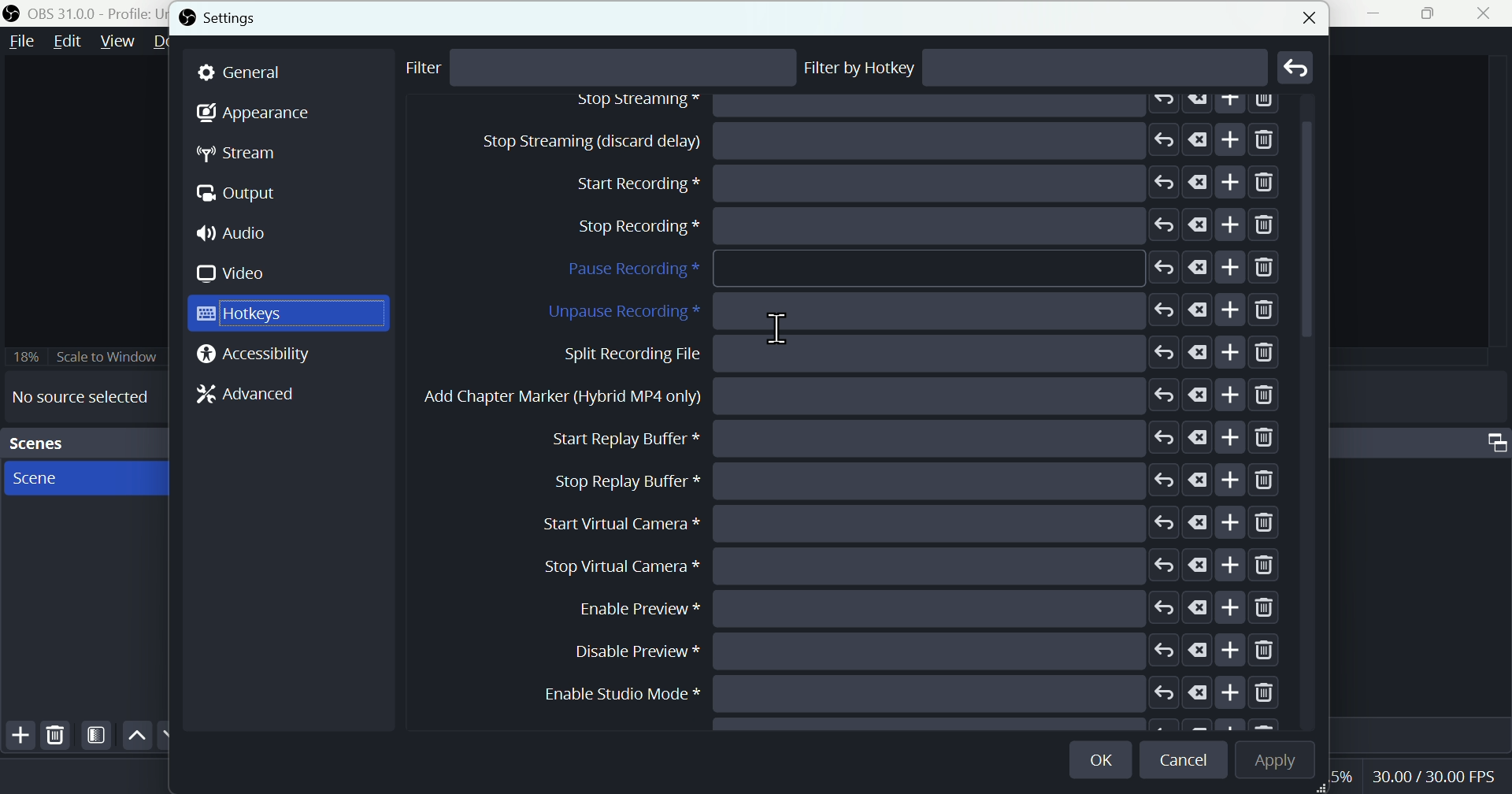  What do you see at coordinates (237, 273) in the screenshot?
I see `Video` at bounding box center [237, 273].